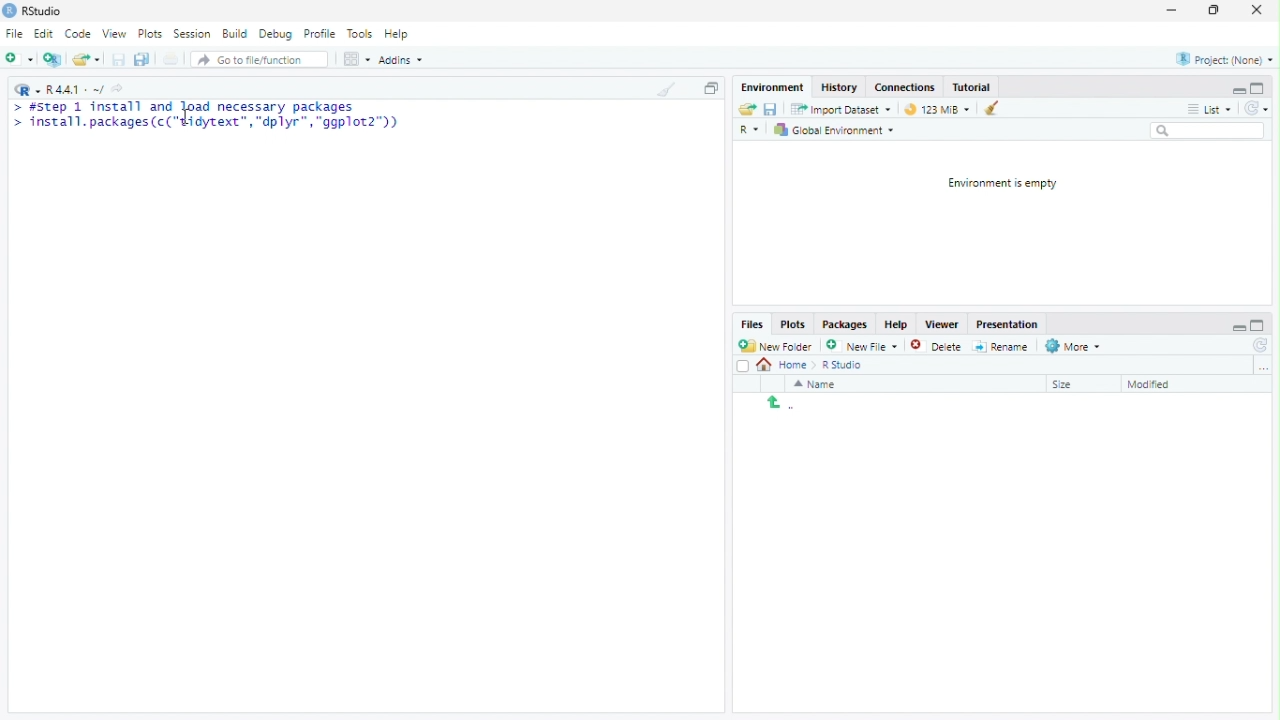  What do you see at coordinates (234, 32) in the screenshot?
I see `Build` at bounding box center [234, 32].